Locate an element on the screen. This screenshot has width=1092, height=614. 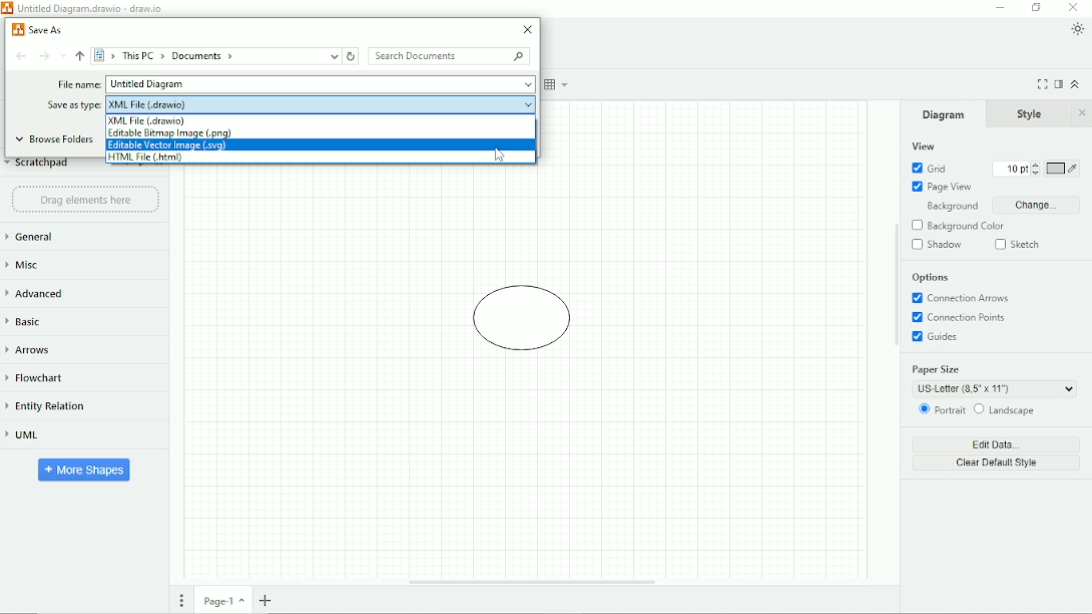
Portrait is located at coordinates (942, 411).